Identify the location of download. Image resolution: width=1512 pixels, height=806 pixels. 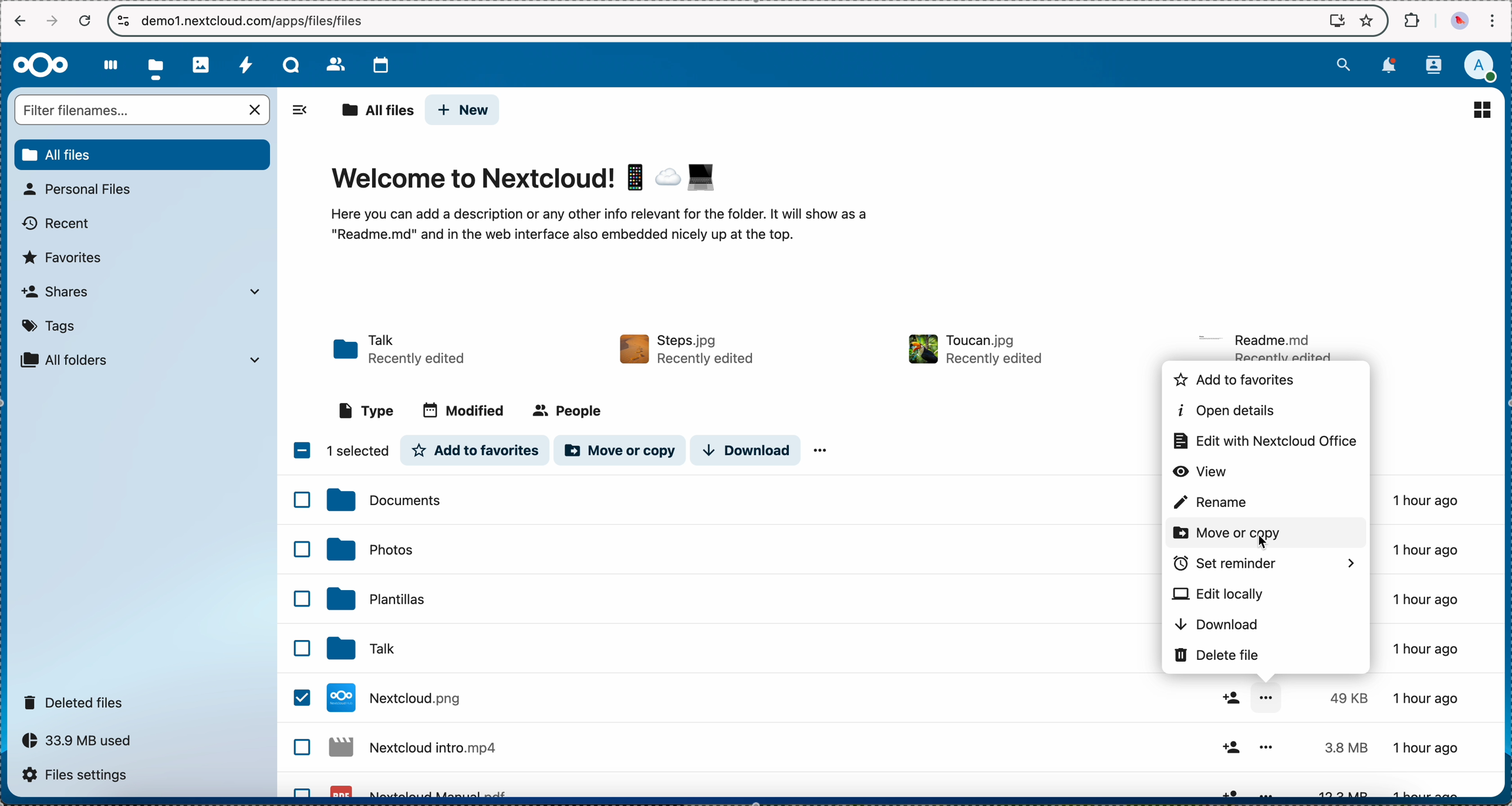
(1219, 624).